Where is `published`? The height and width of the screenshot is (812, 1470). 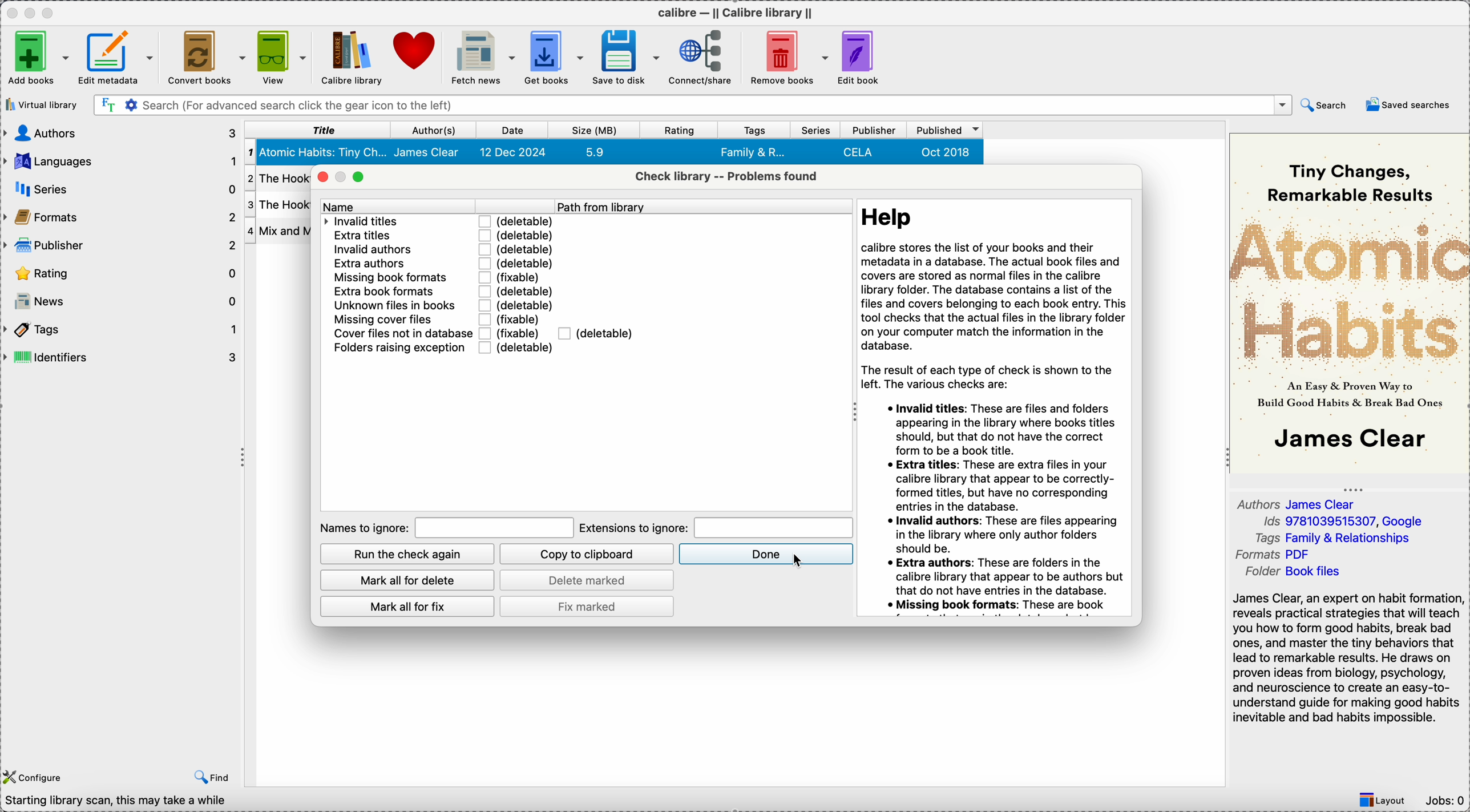
published is located at coordinates (946, 131).